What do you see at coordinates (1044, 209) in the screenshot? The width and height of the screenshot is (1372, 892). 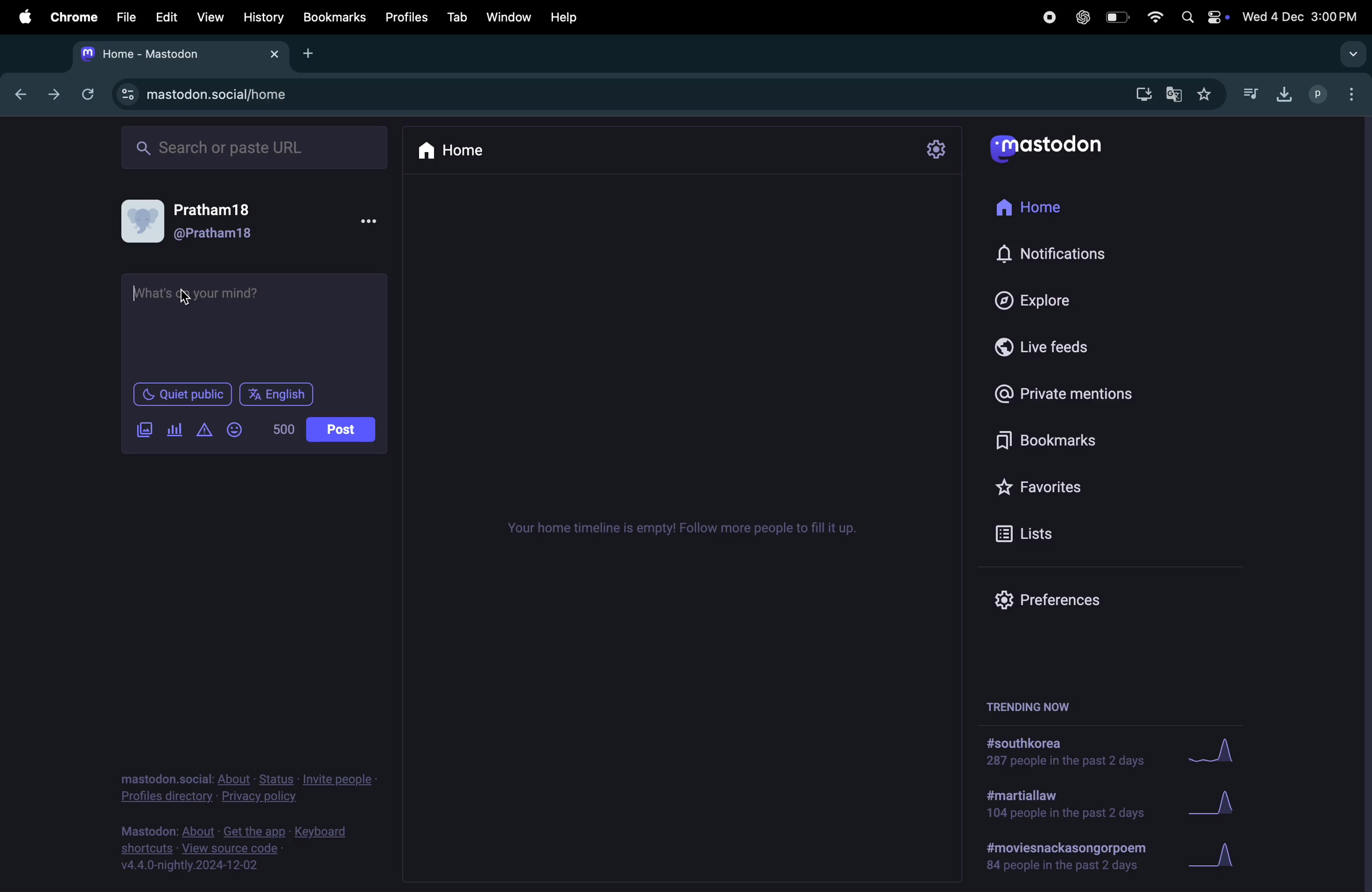 I see `Home` at bounding box center [1044, 209].